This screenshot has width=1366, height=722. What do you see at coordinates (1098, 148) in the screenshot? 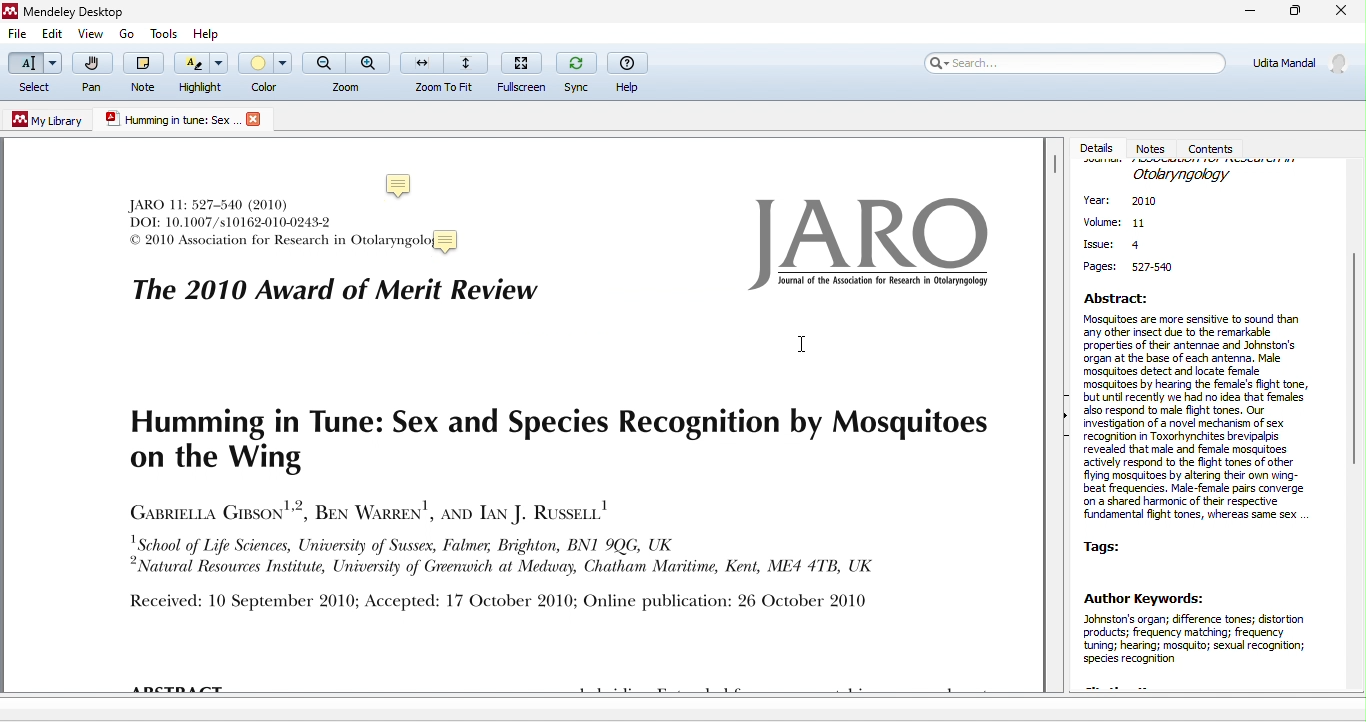
I see `details` at bounding box center [1098, 148].